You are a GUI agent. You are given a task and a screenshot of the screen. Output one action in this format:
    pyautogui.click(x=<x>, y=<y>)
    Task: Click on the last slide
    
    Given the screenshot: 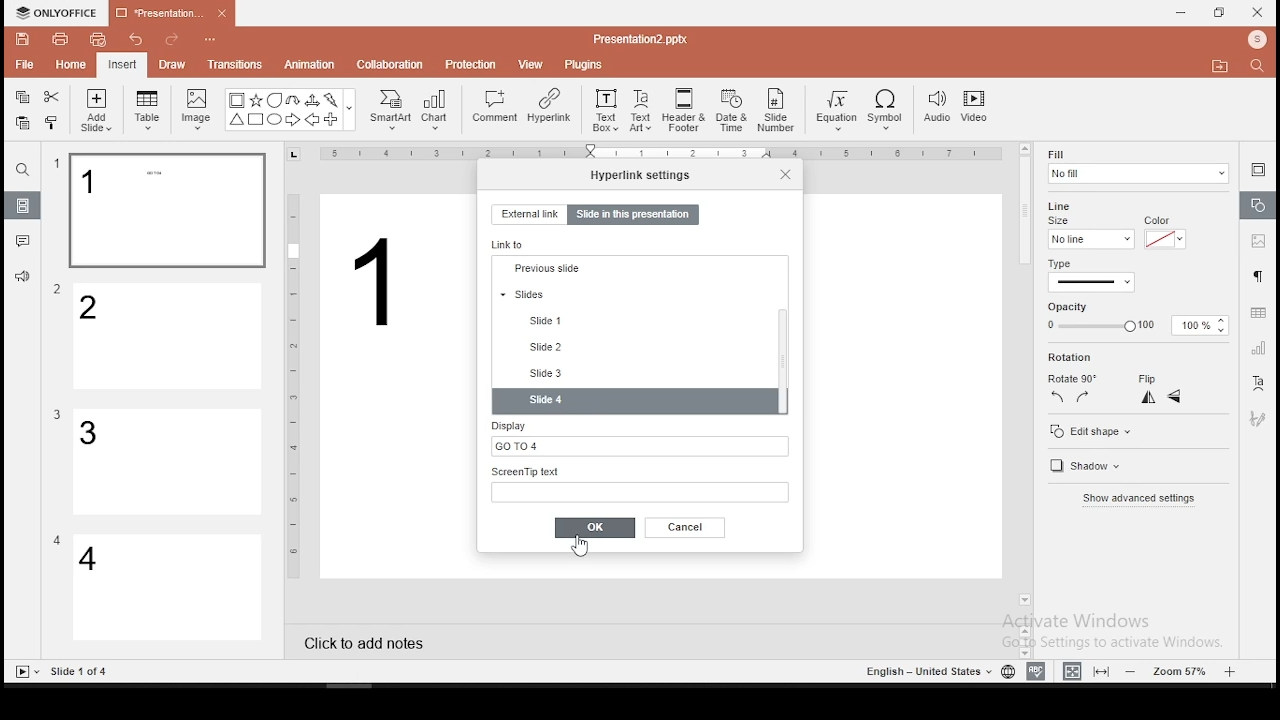 What is the action you would take?
    pyautogui.click(x=634, y=294)
    